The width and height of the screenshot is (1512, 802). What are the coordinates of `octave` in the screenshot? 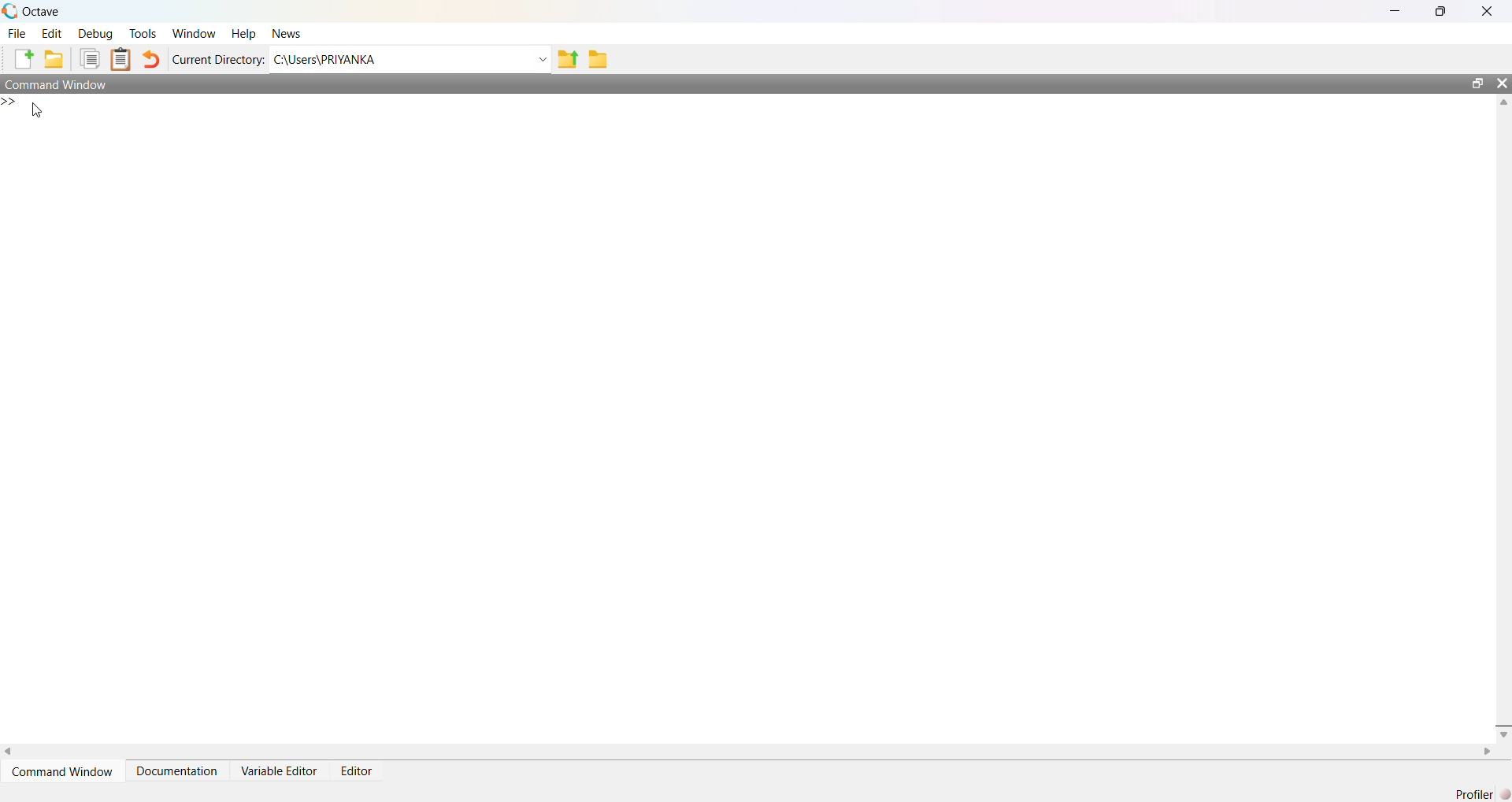 It's located at (44, 12).